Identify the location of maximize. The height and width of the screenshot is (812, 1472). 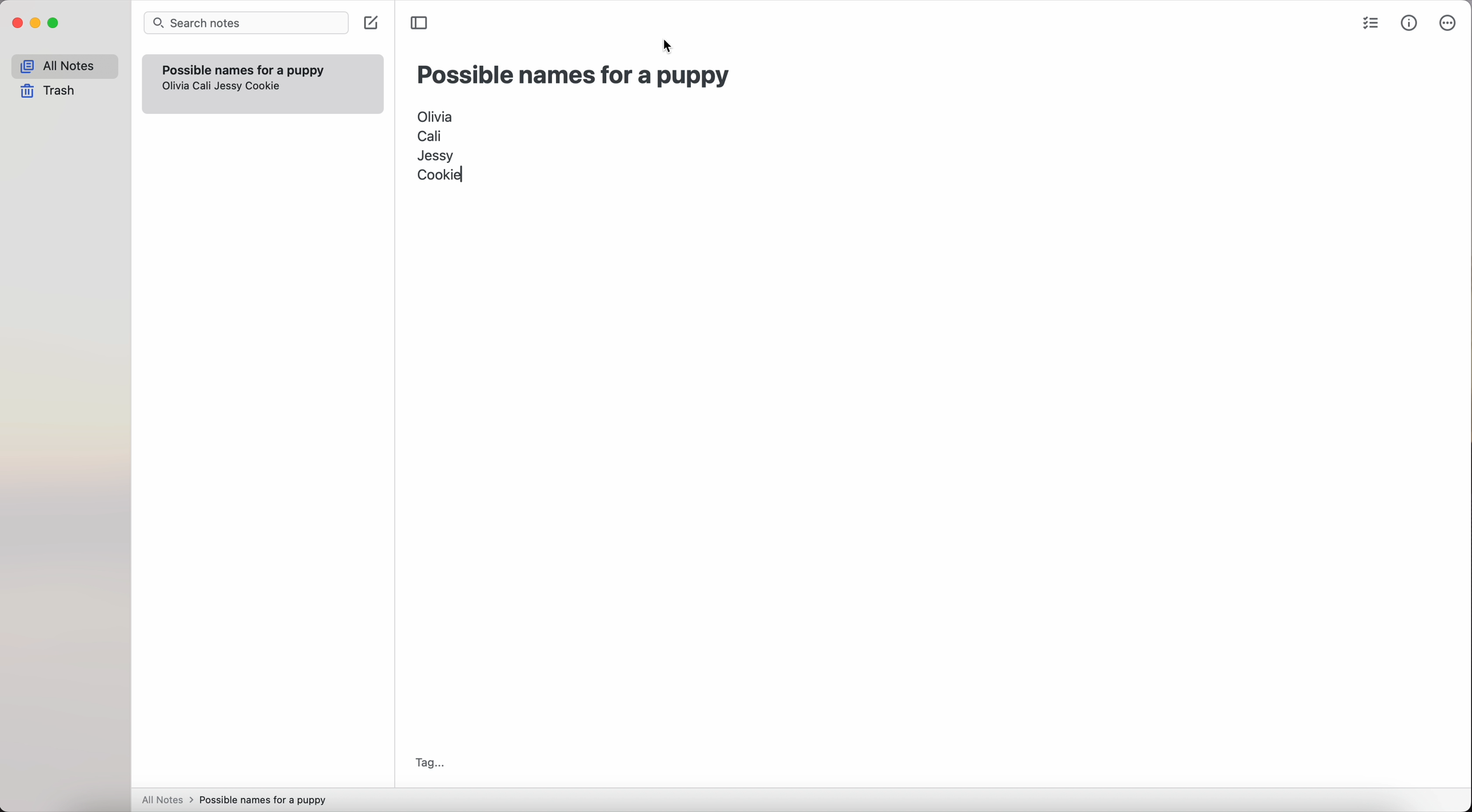
(54, 25).